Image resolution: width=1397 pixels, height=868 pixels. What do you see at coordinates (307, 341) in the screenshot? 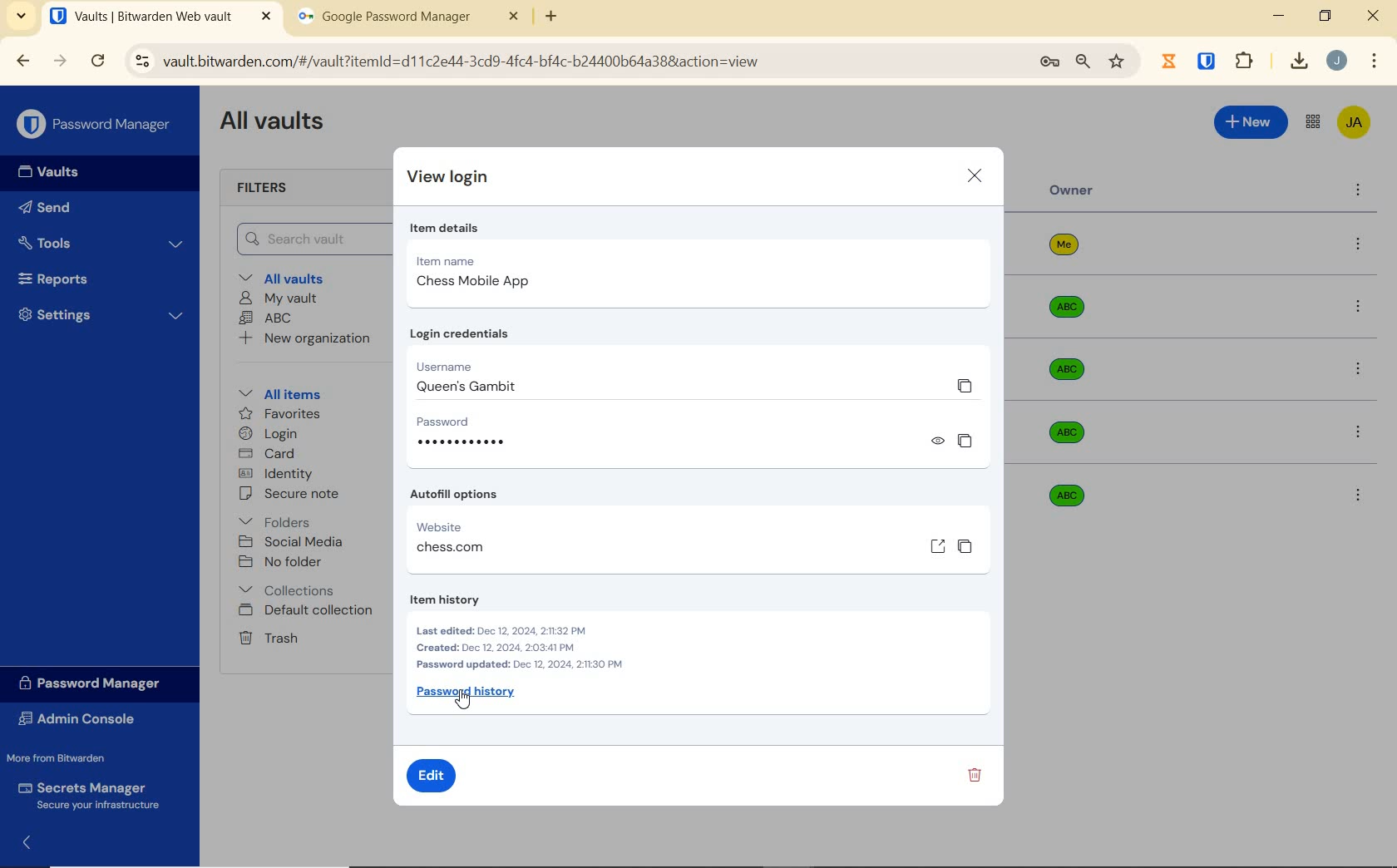
I see `New organization` at bounding box center [307, 341].